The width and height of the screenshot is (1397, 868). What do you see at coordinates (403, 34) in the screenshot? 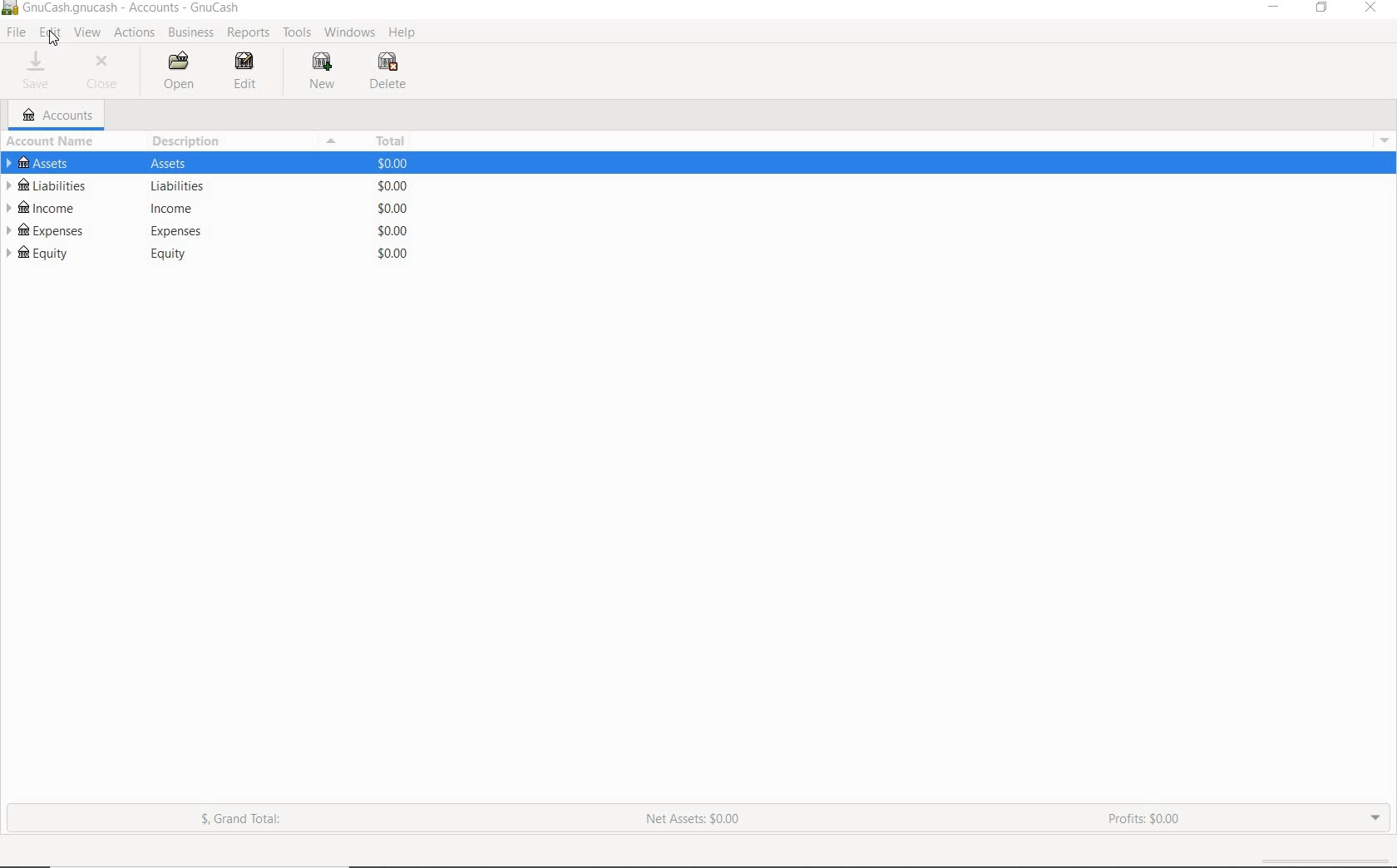
I see `HELP` at bounding box center [403, 34].